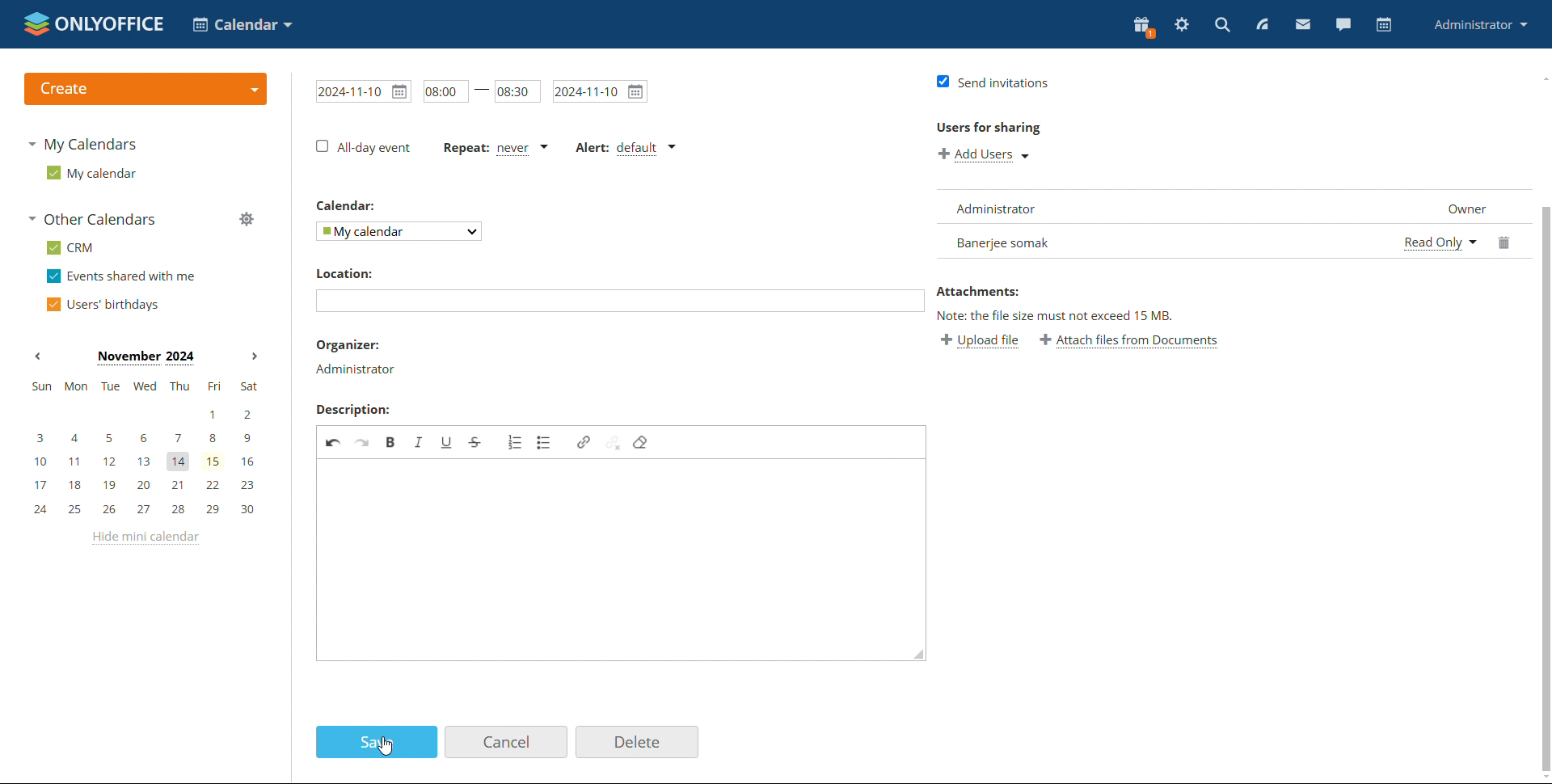 Image resolution: width=1552 pixels, height=784 pixels. What do you see at coordinates (449, 436) in the screenshot?
I see `underline` at bounding box center [449, 436].